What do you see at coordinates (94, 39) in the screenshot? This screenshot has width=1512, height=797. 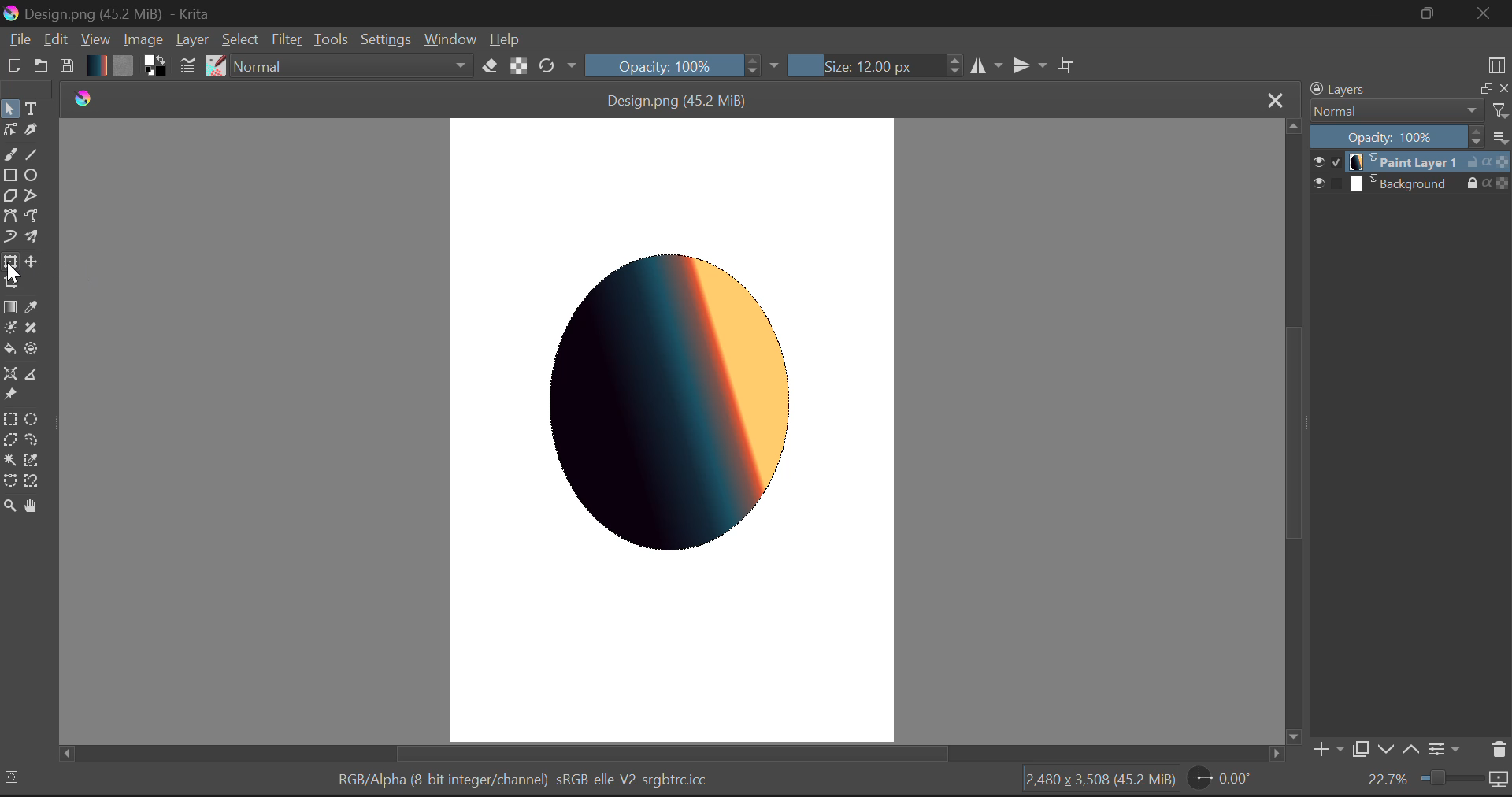 I see `View` at bounding box center [94, 39].